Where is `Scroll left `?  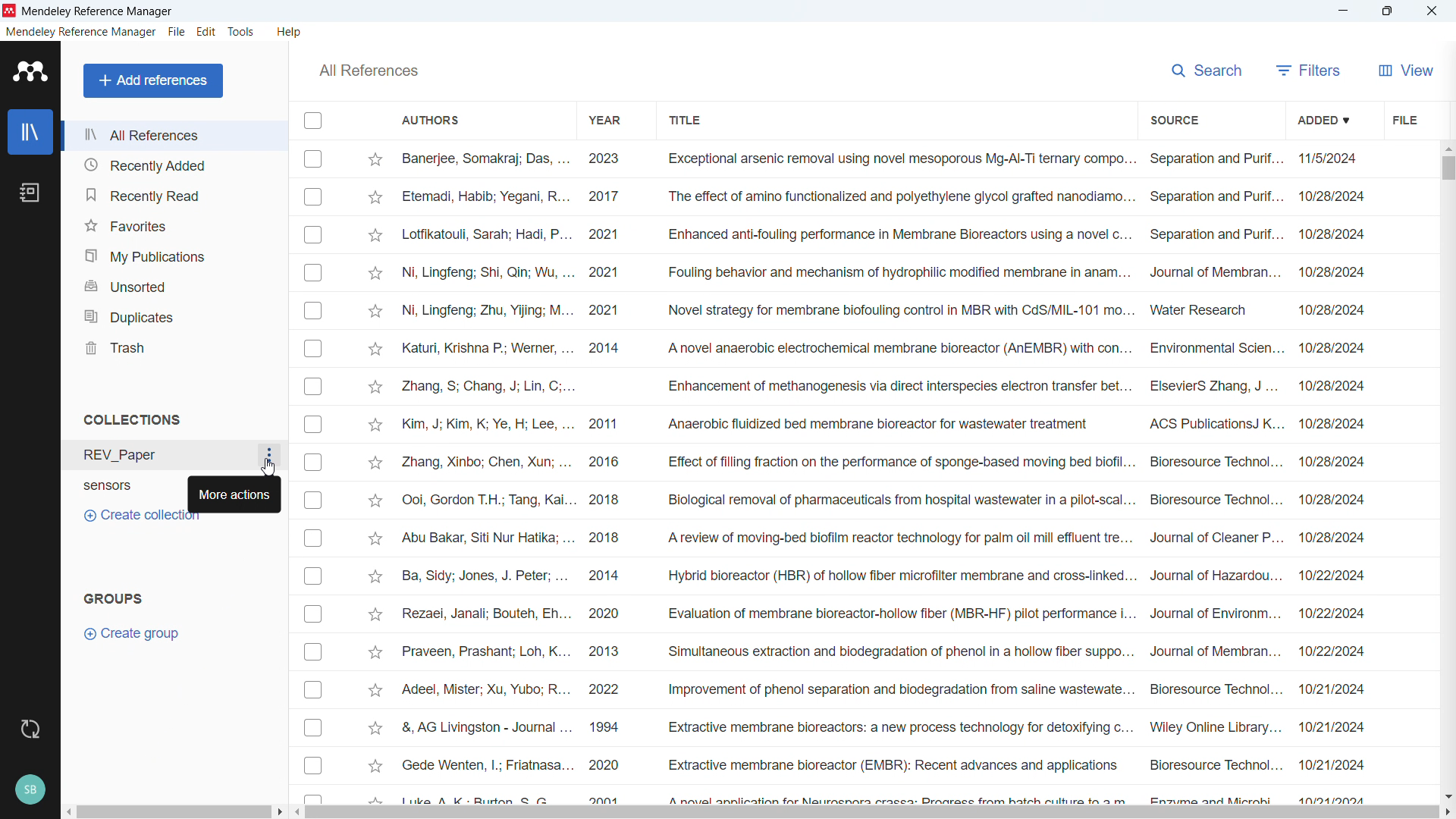
Scroll left  is located at coordinates (68, 811).